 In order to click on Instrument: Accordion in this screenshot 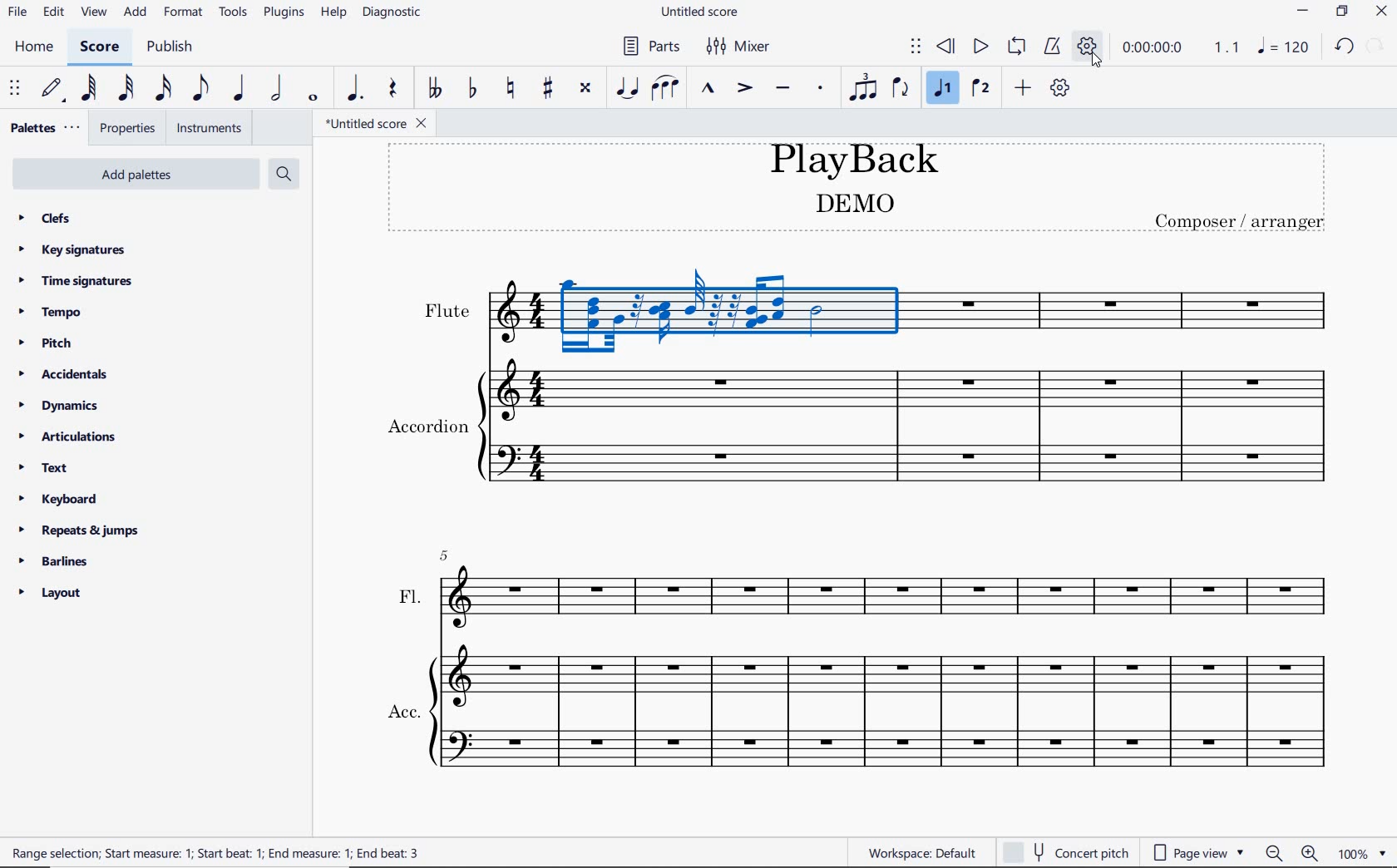, I will do `click(860, 428)`.